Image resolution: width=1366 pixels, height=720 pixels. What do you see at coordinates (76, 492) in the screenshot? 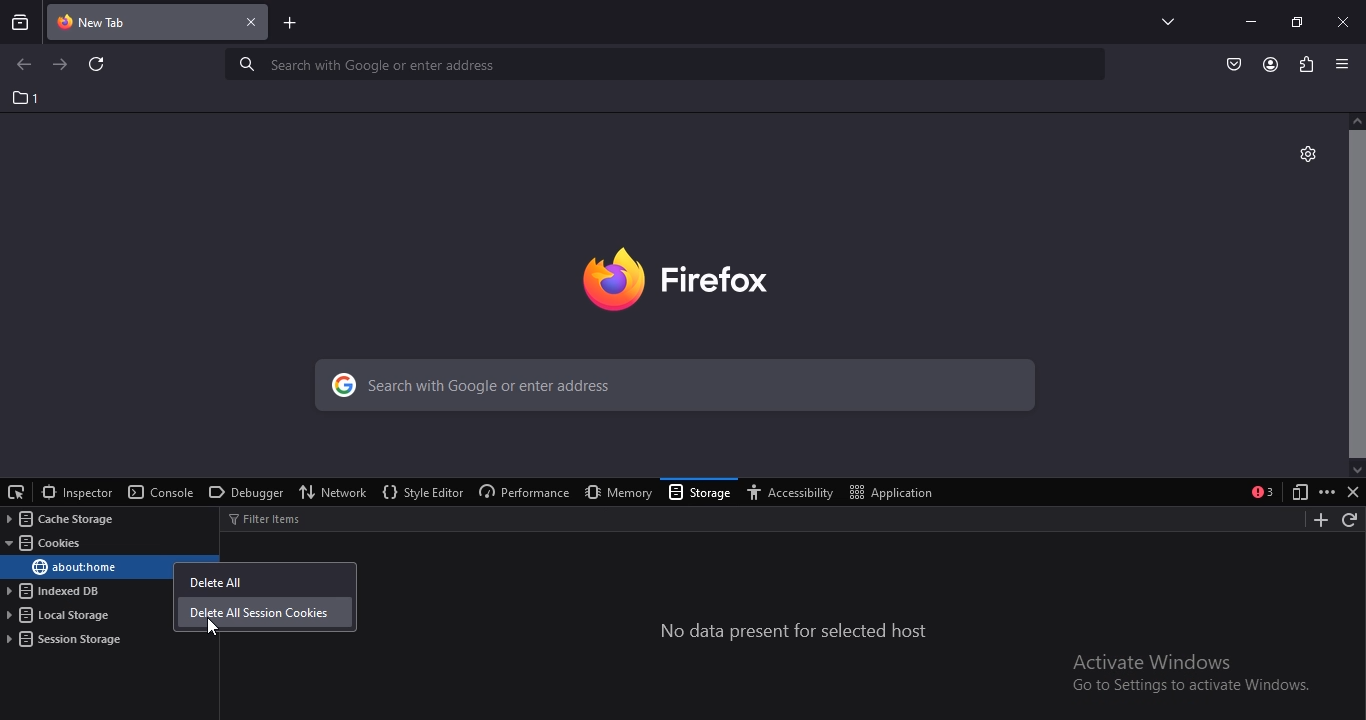
I see `inspector` at bounding box center [76, 492].